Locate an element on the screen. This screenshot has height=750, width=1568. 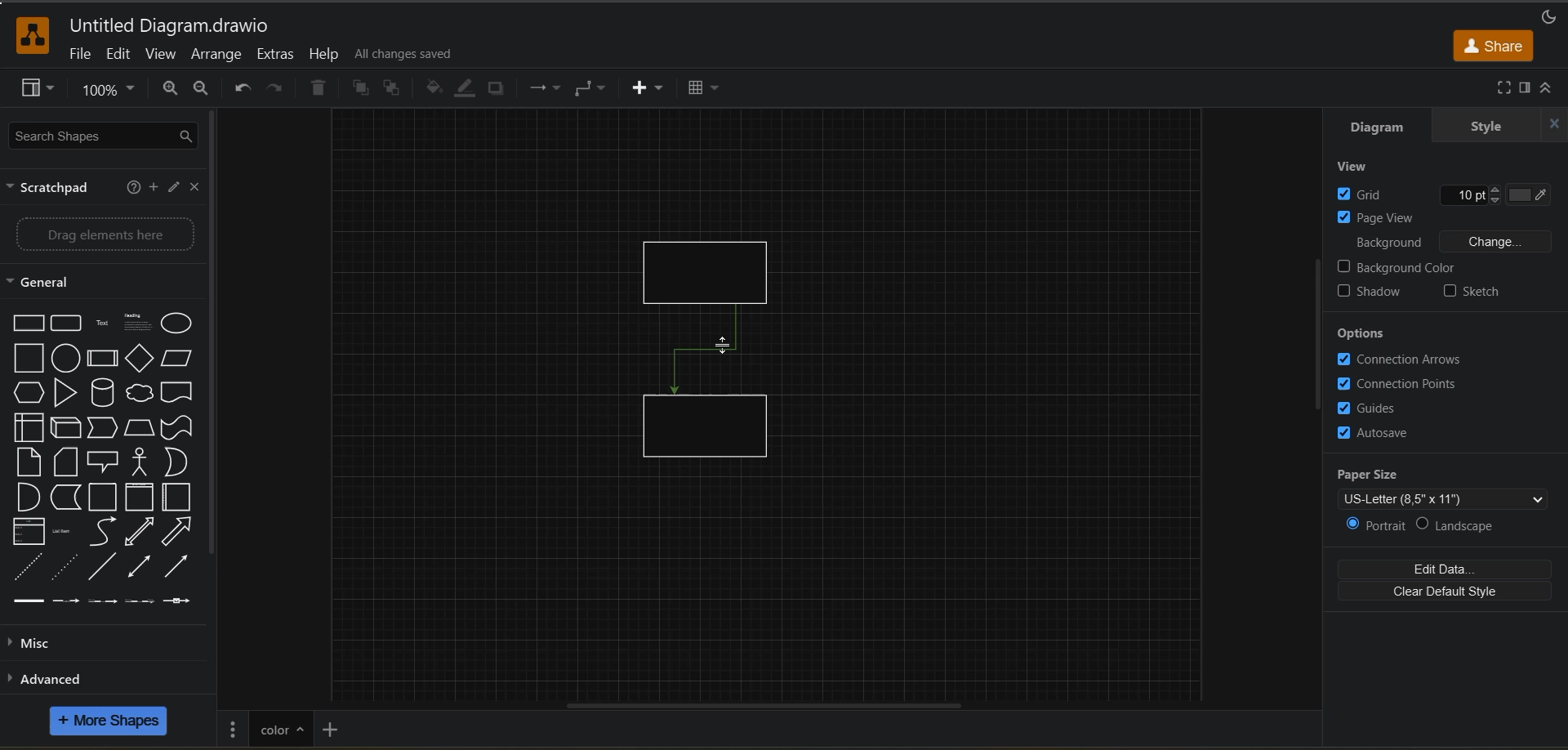
vertical scroll bar is located at coordinates (1314, 334).